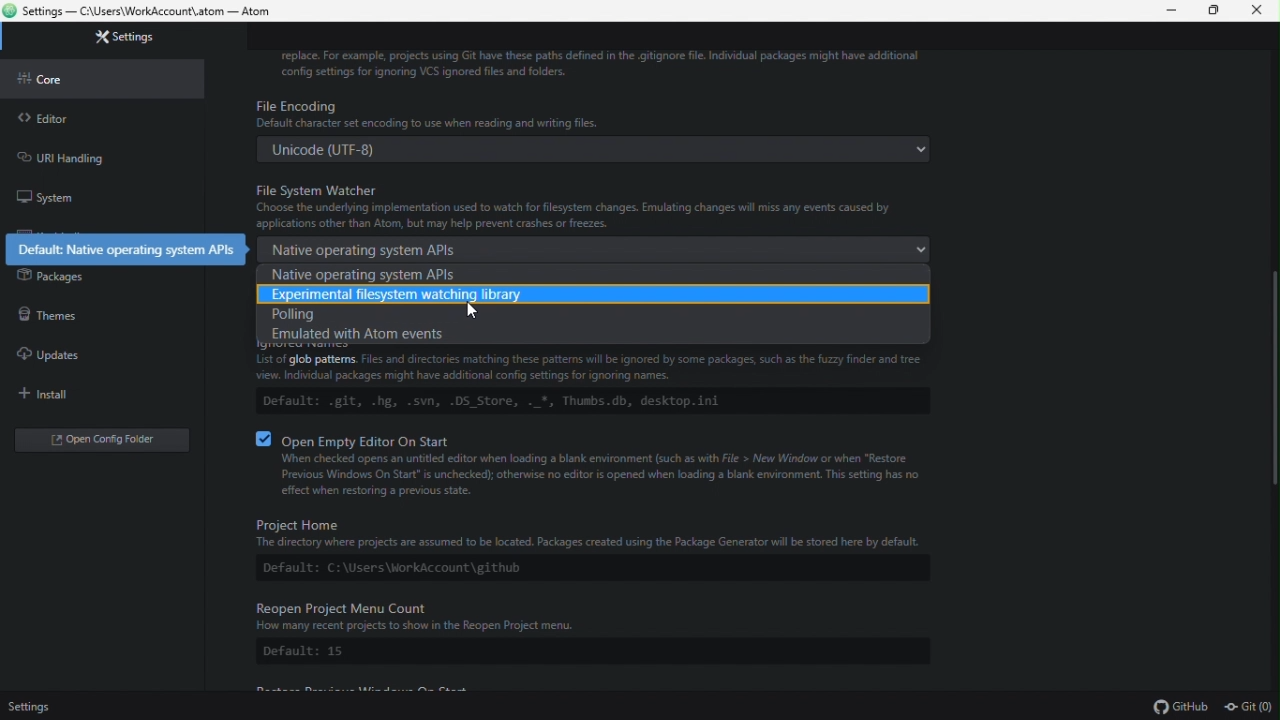  I want to click on open empty editor on start, so click(598, 466).